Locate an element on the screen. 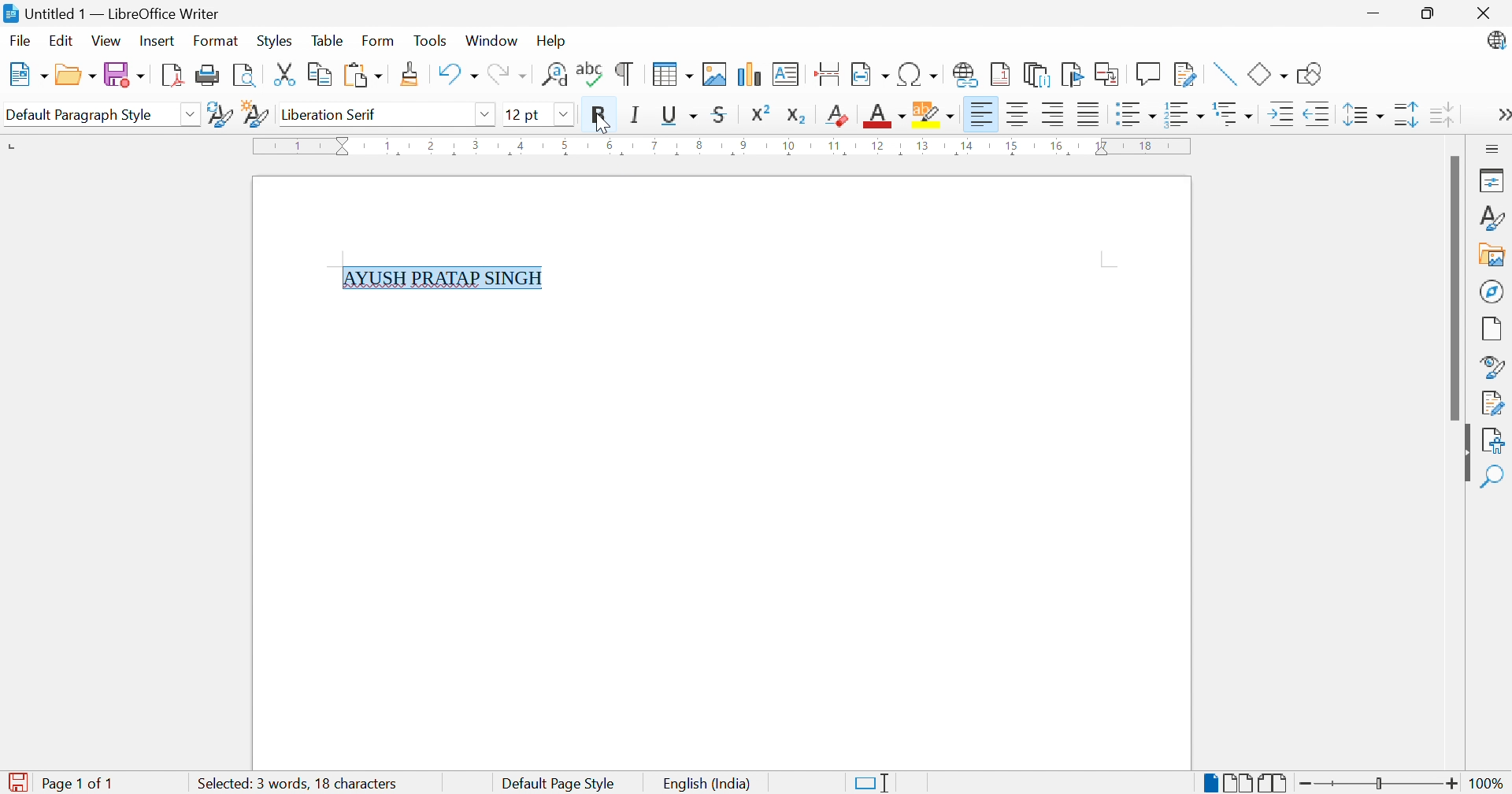  Toggle Formatting Marks is located at coordinates (625, 76).